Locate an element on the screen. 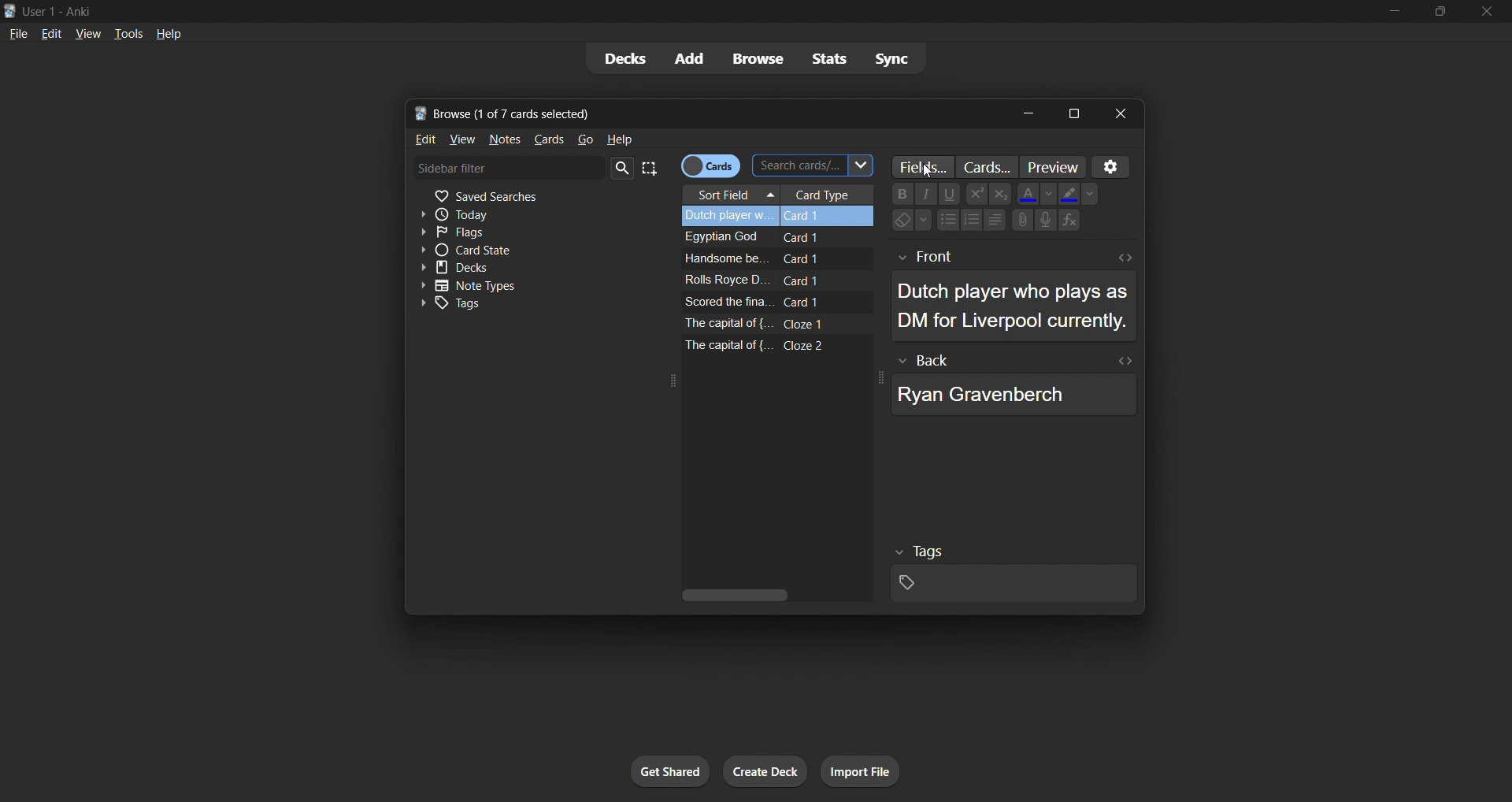 The width and height of the screenshot is (1512, 802). cards is located at coordinates (551, 140).